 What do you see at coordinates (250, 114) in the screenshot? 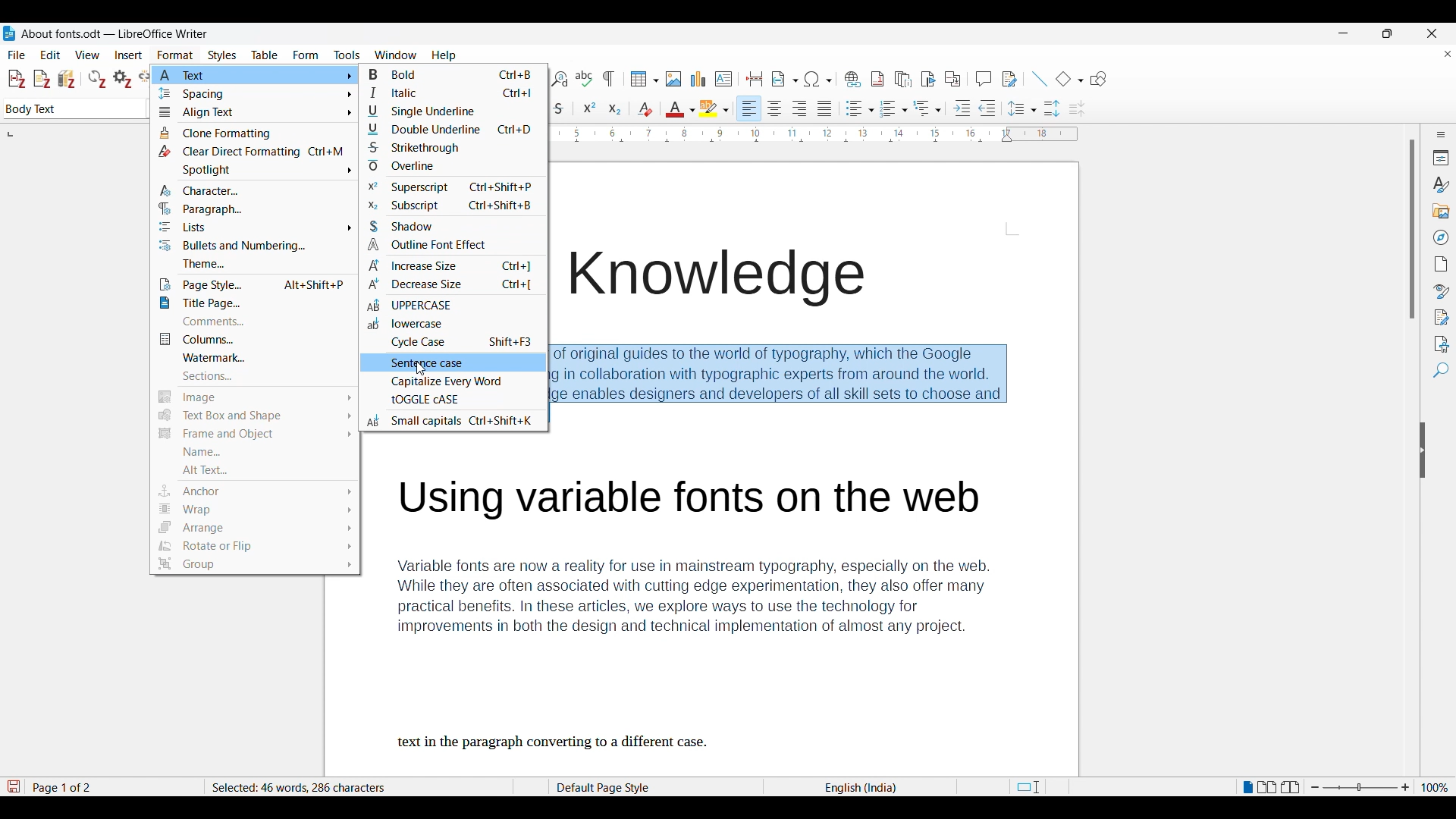
I see `Align Text` at bounding box center [250, 114].